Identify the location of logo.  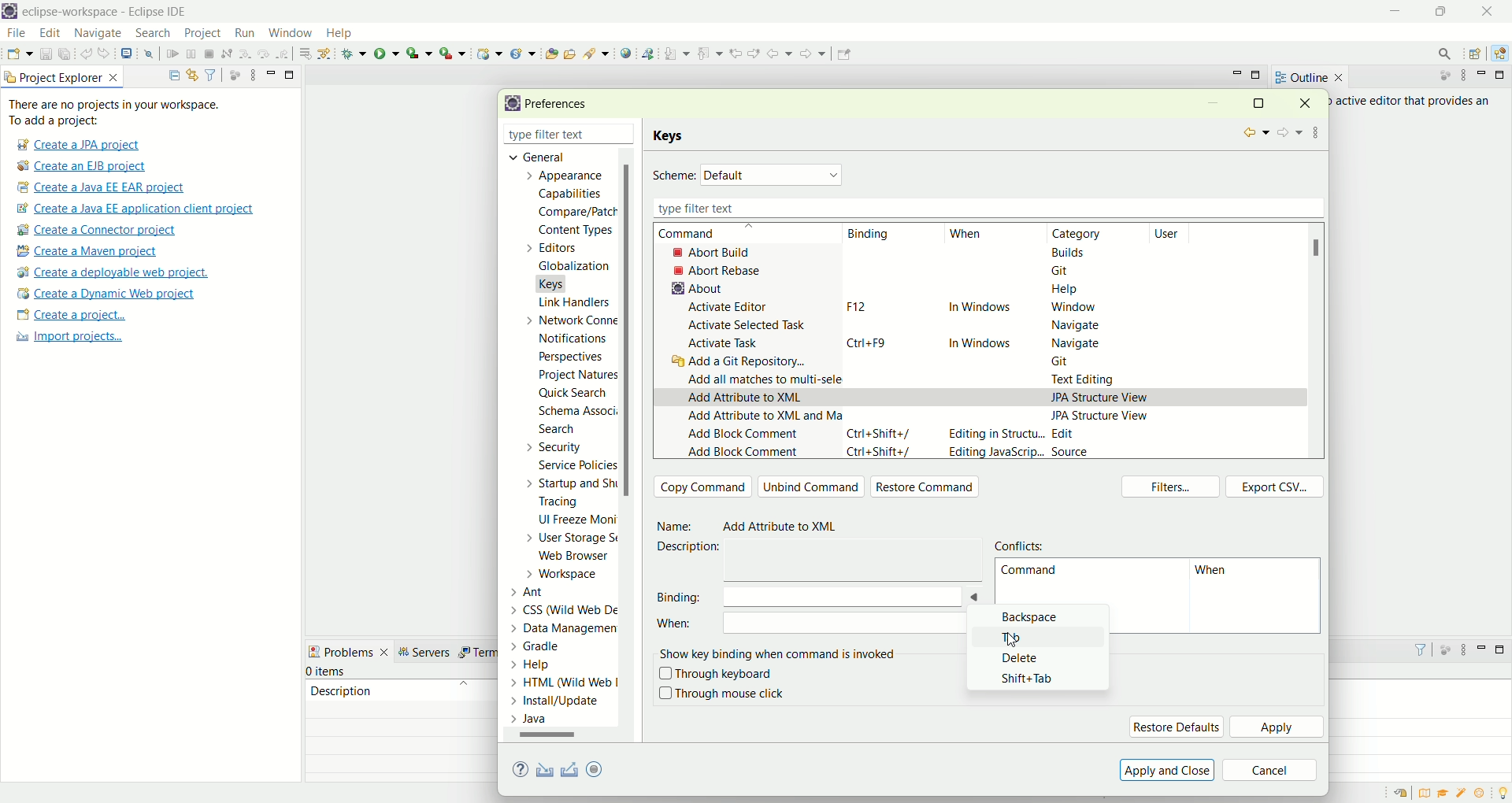
(510, 104).